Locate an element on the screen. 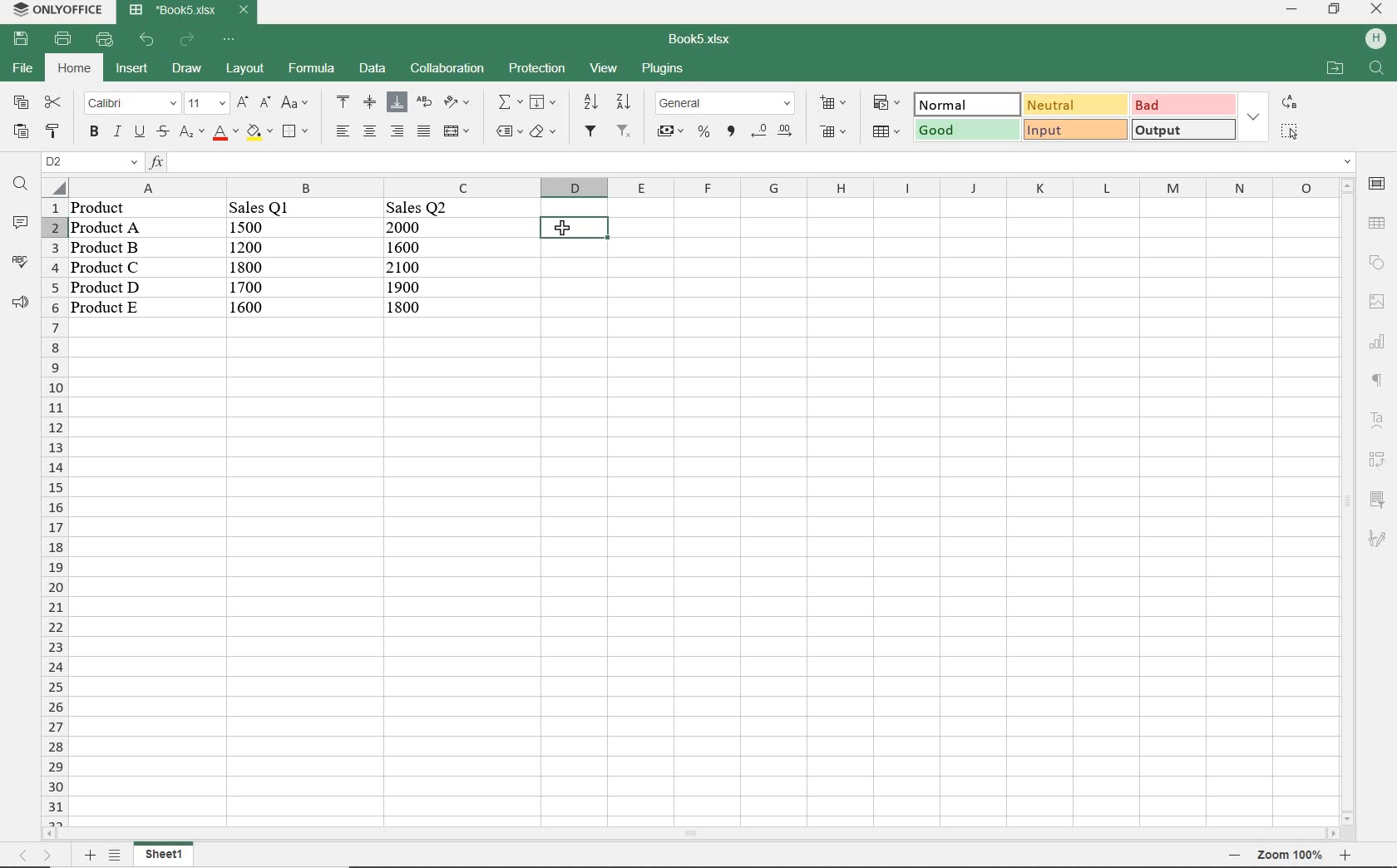 The width and height of the screenshot is (1397, 868). shape is located at coordinates (1379, 259).